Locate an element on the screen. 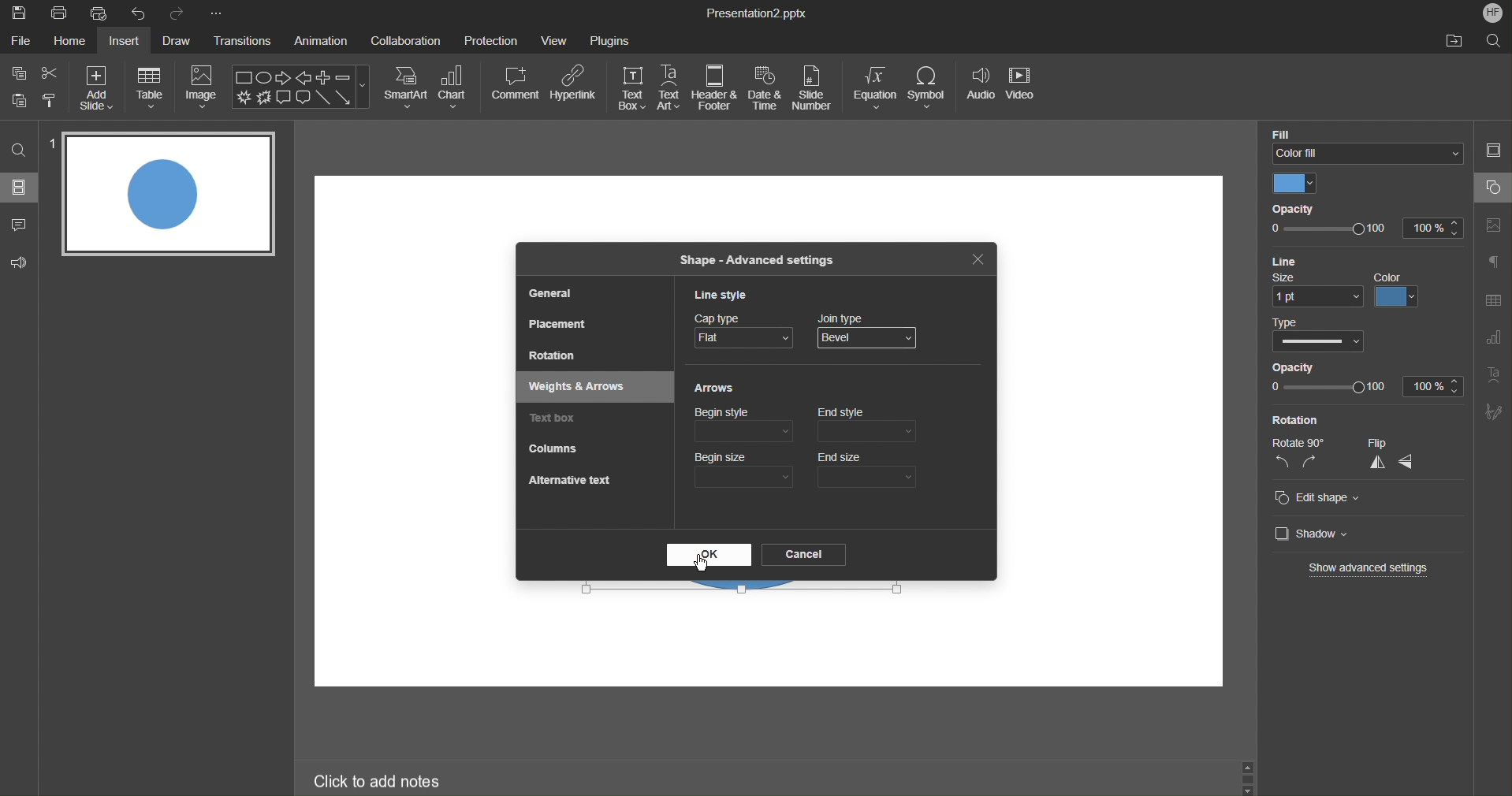 The width and height of the screenshot is (1512, 796). Open File Location is located at coordinates (1454, 42).